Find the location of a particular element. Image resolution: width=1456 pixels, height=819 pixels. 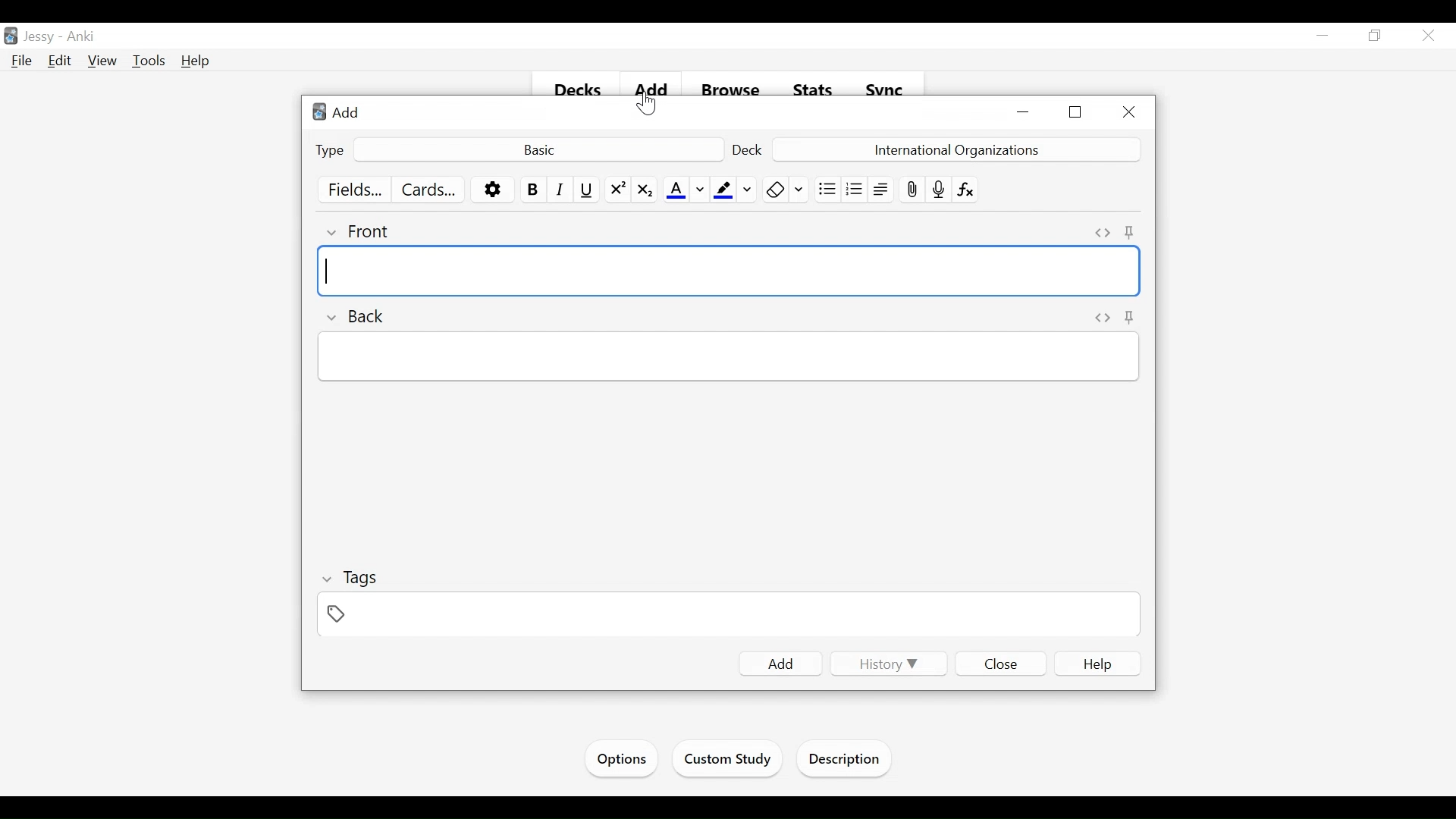

Front Field is located at coordinates (727, 271).